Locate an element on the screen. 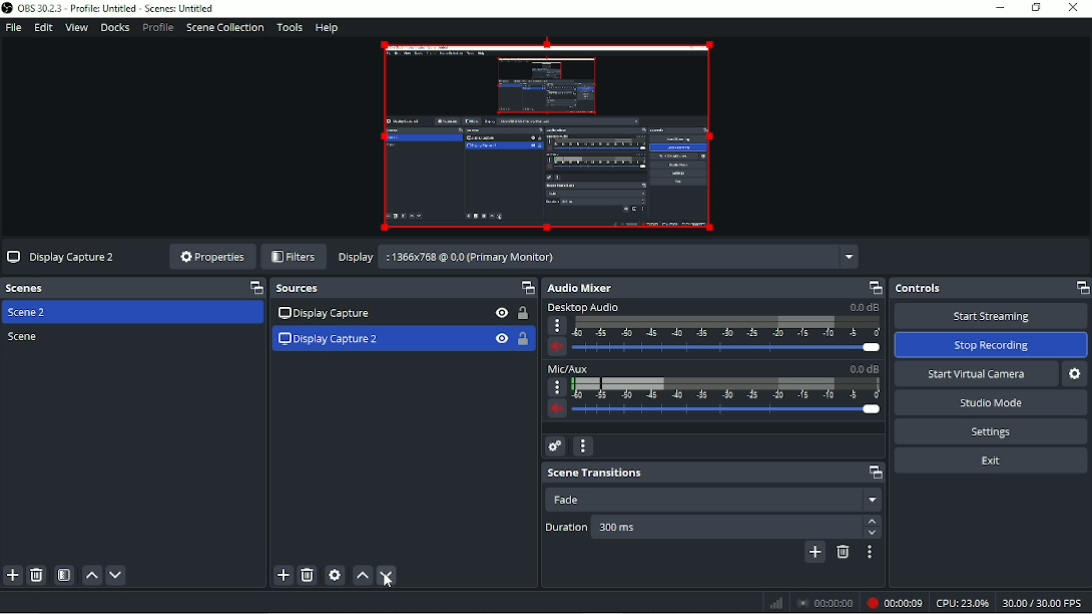 The height and width of the screenshot is (614, 1092). Close is located at coordinates (1073, 9).